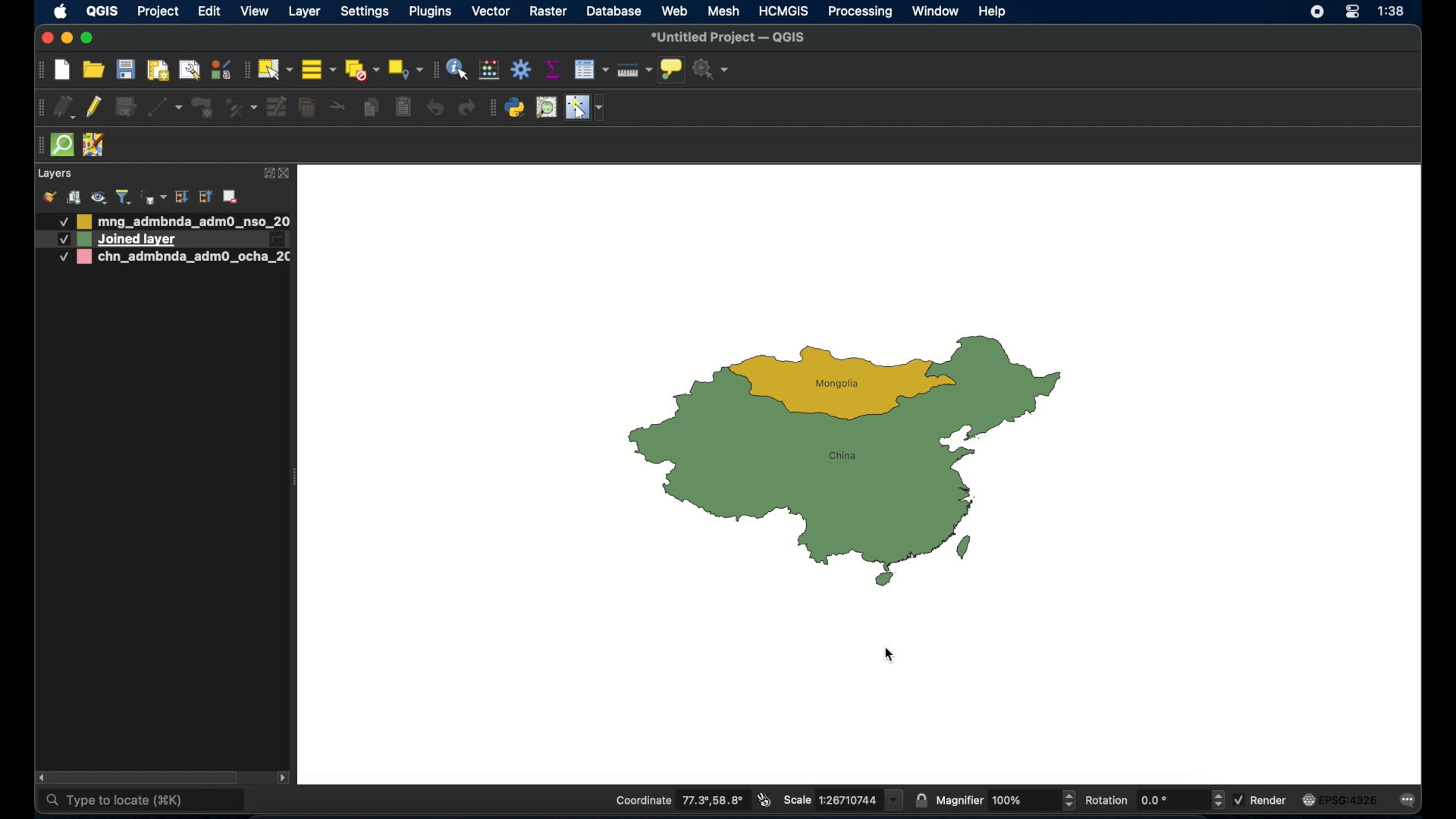  I want to click on print layout, so click(157, 71).